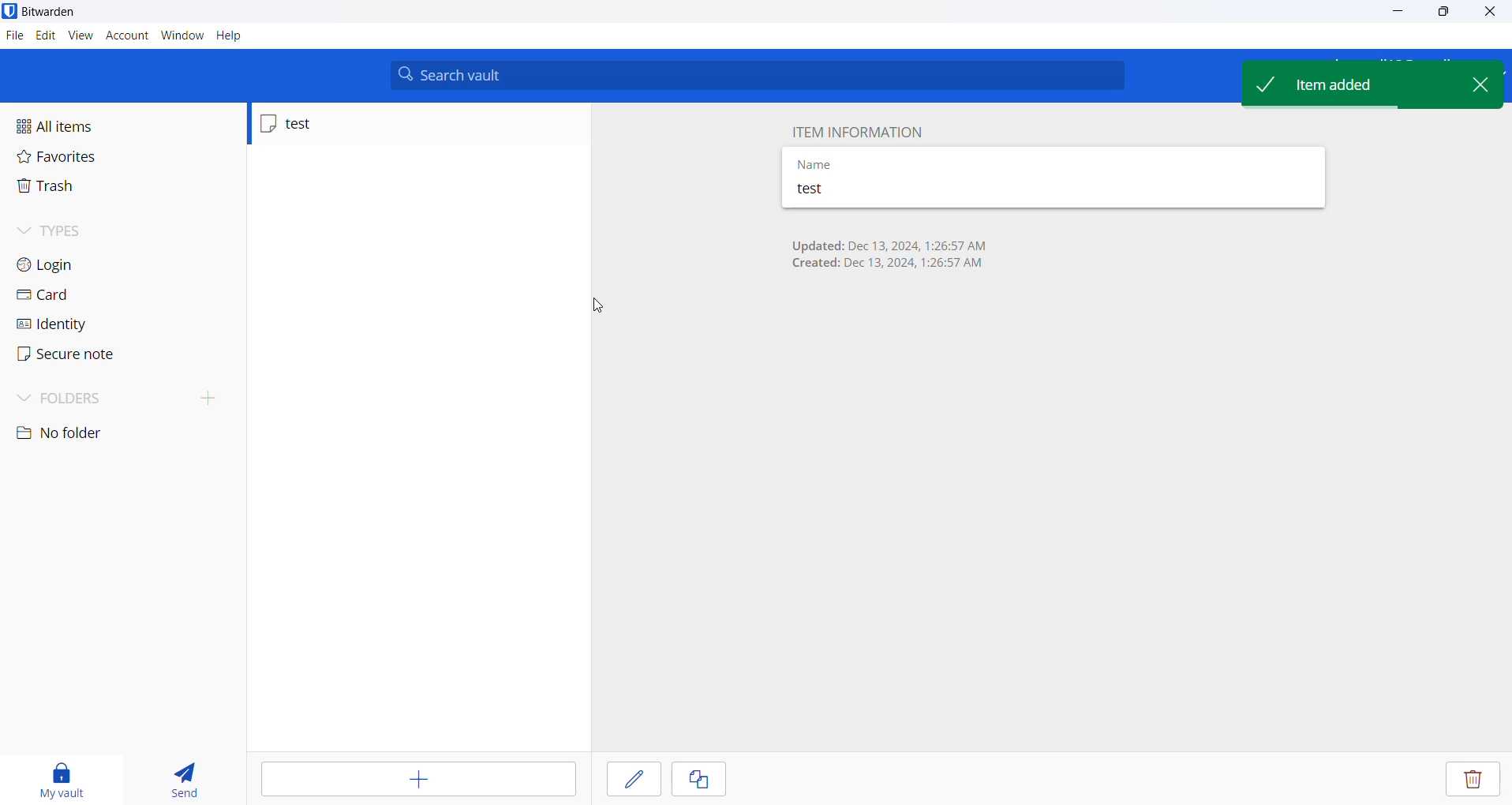 The width and height of the screenshot is (1512, 805). What do you see at coordinates (13, 36) in the screenshot?
I see `file` at bounding box center [13, 36].